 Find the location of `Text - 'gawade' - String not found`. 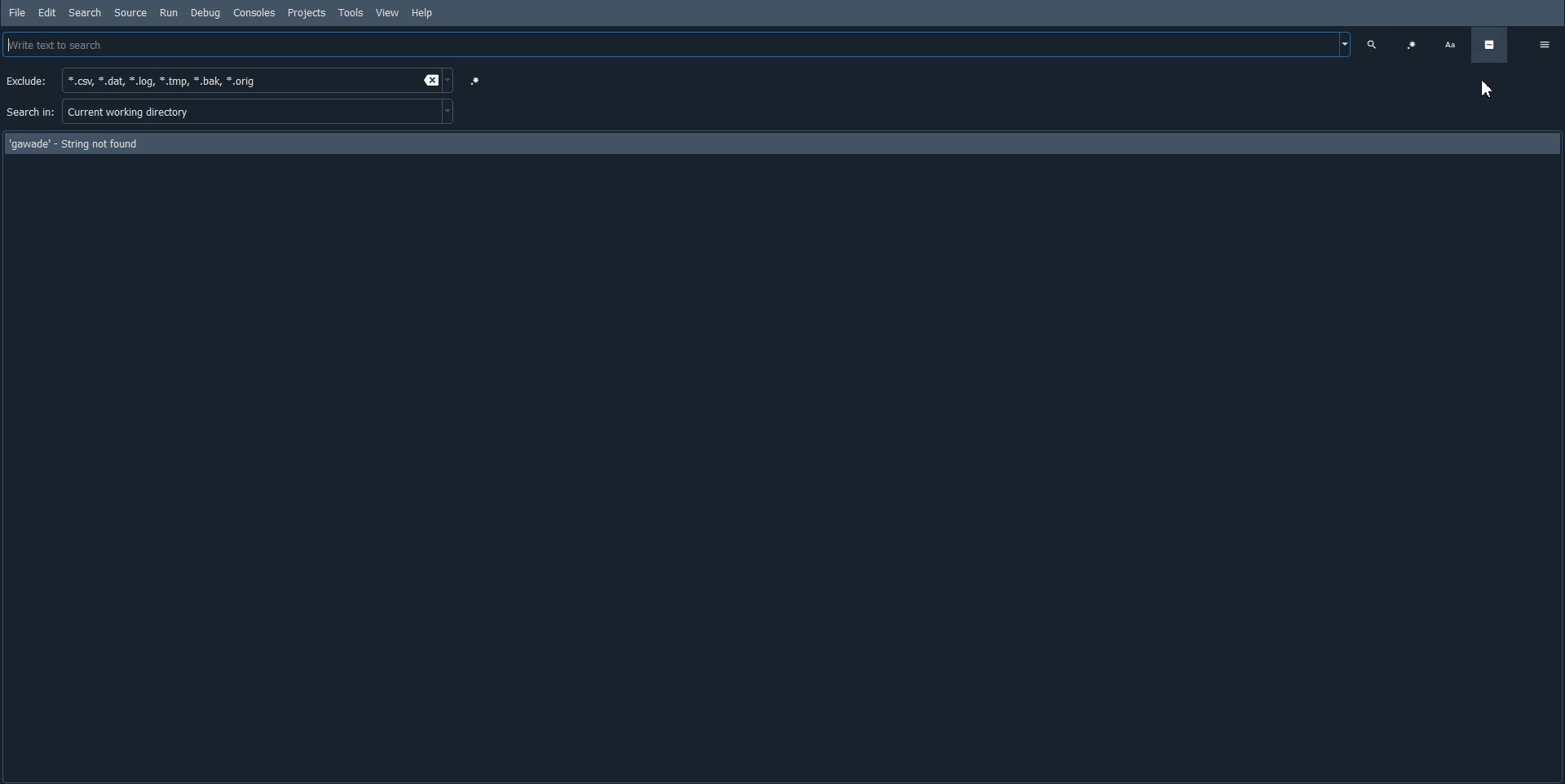

Text - 'gawade' - String not found is located at coordinates (77, 146).